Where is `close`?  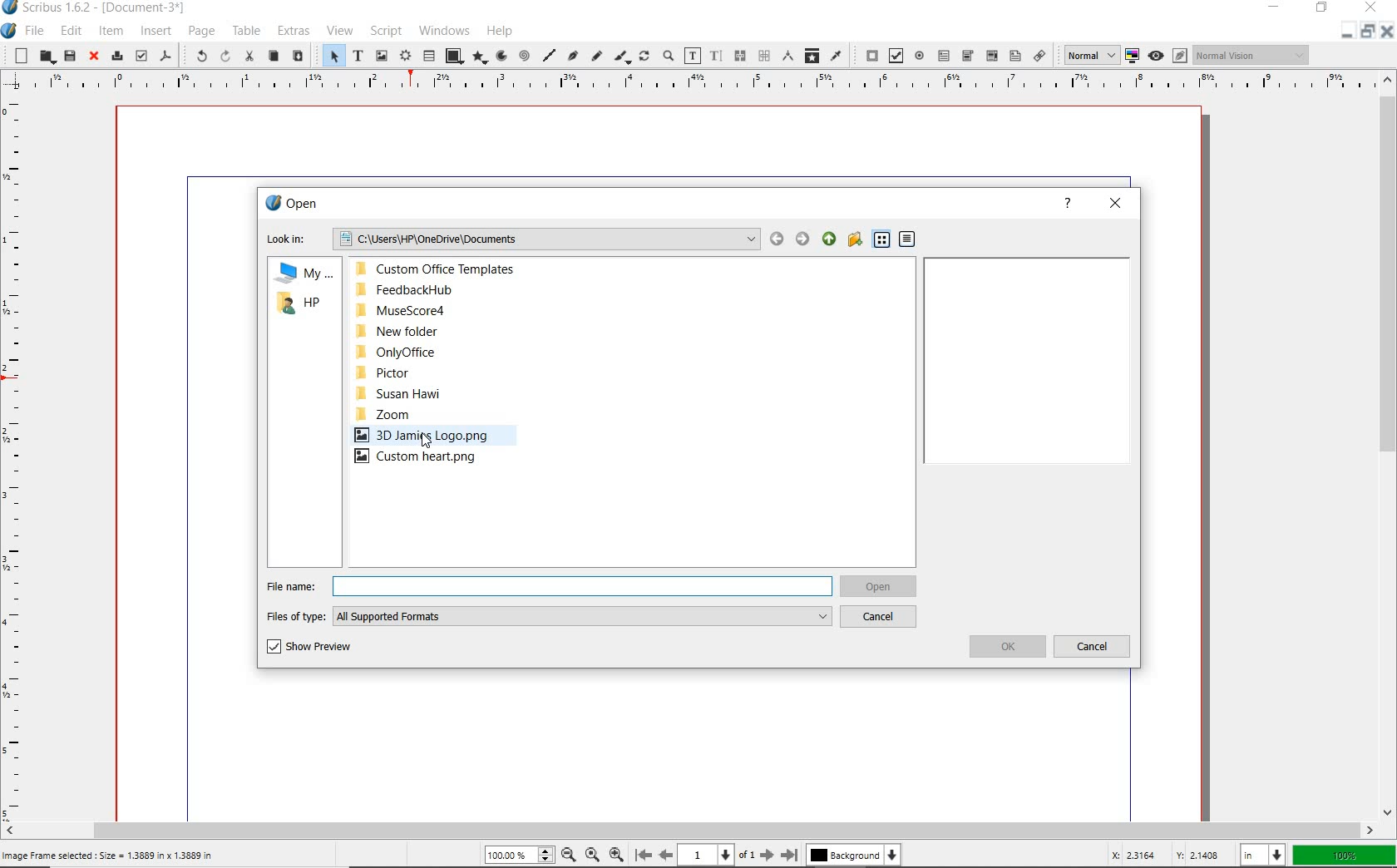
close is located at coordinates (1387, 31).